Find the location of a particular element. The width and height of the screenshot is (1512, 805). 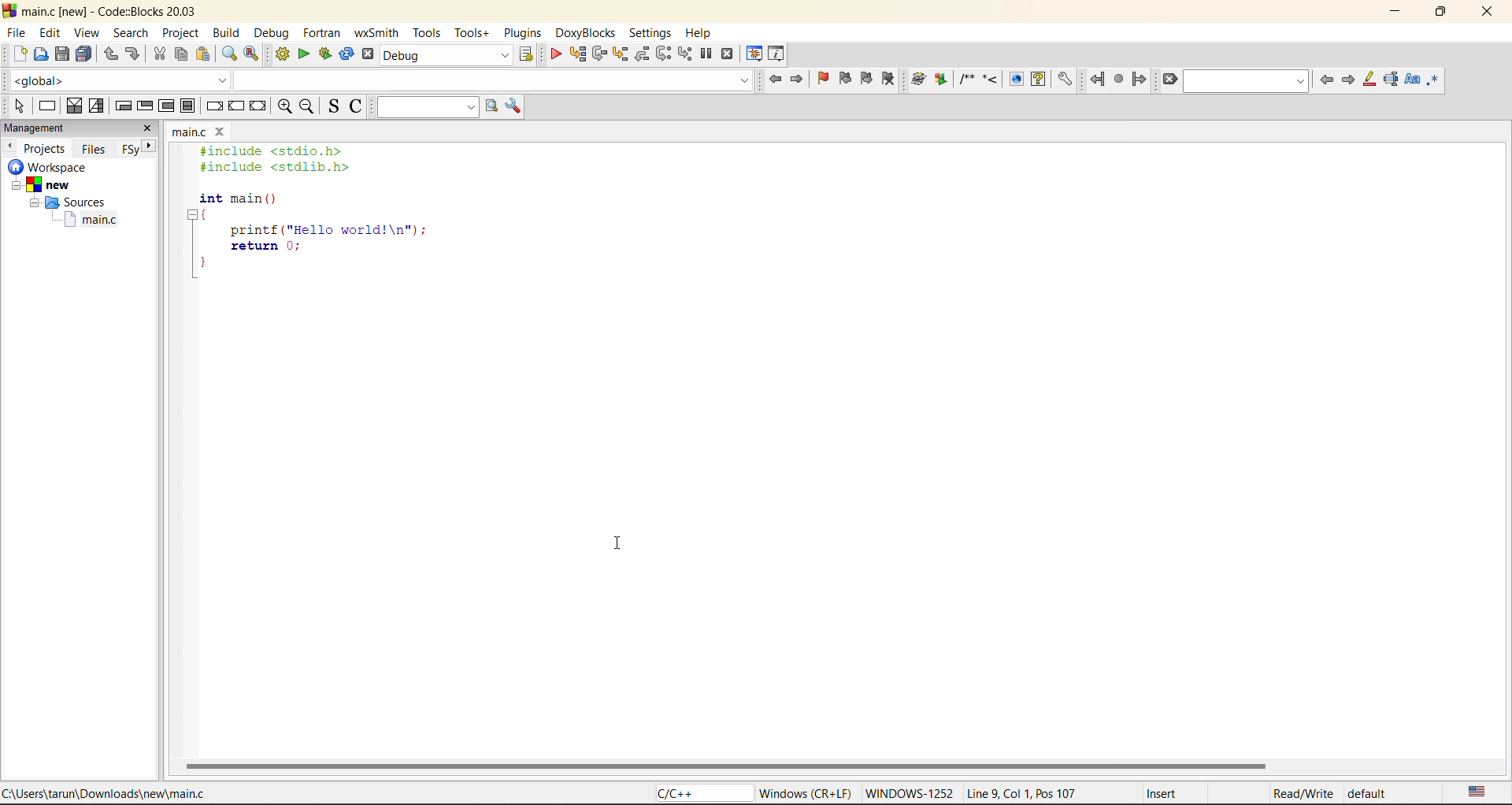

step into instruction is located at coordinates (686, 54).